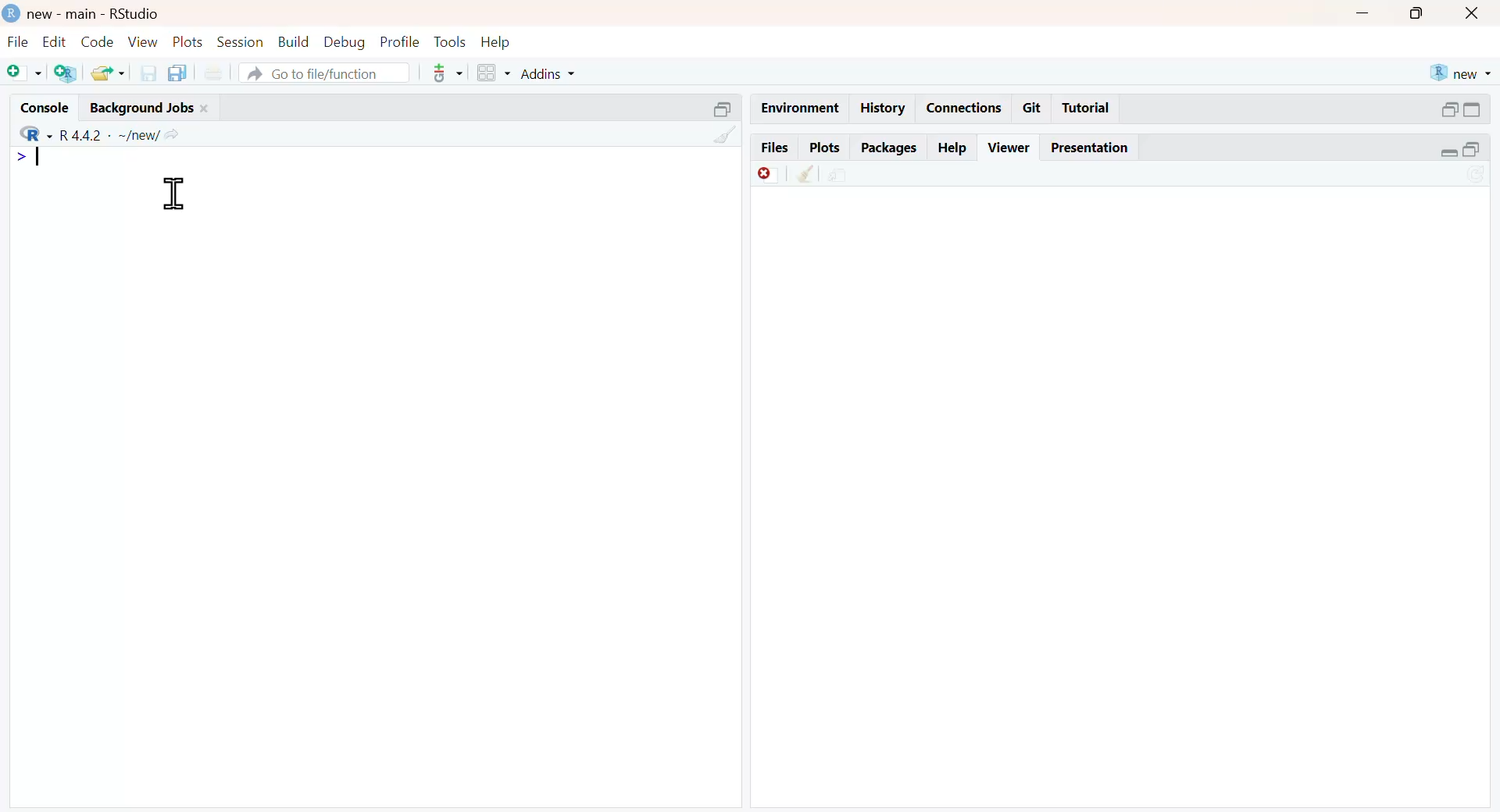  Describe the element at coordinates (495, 72) in the screenshot. I see `grid` at that location.